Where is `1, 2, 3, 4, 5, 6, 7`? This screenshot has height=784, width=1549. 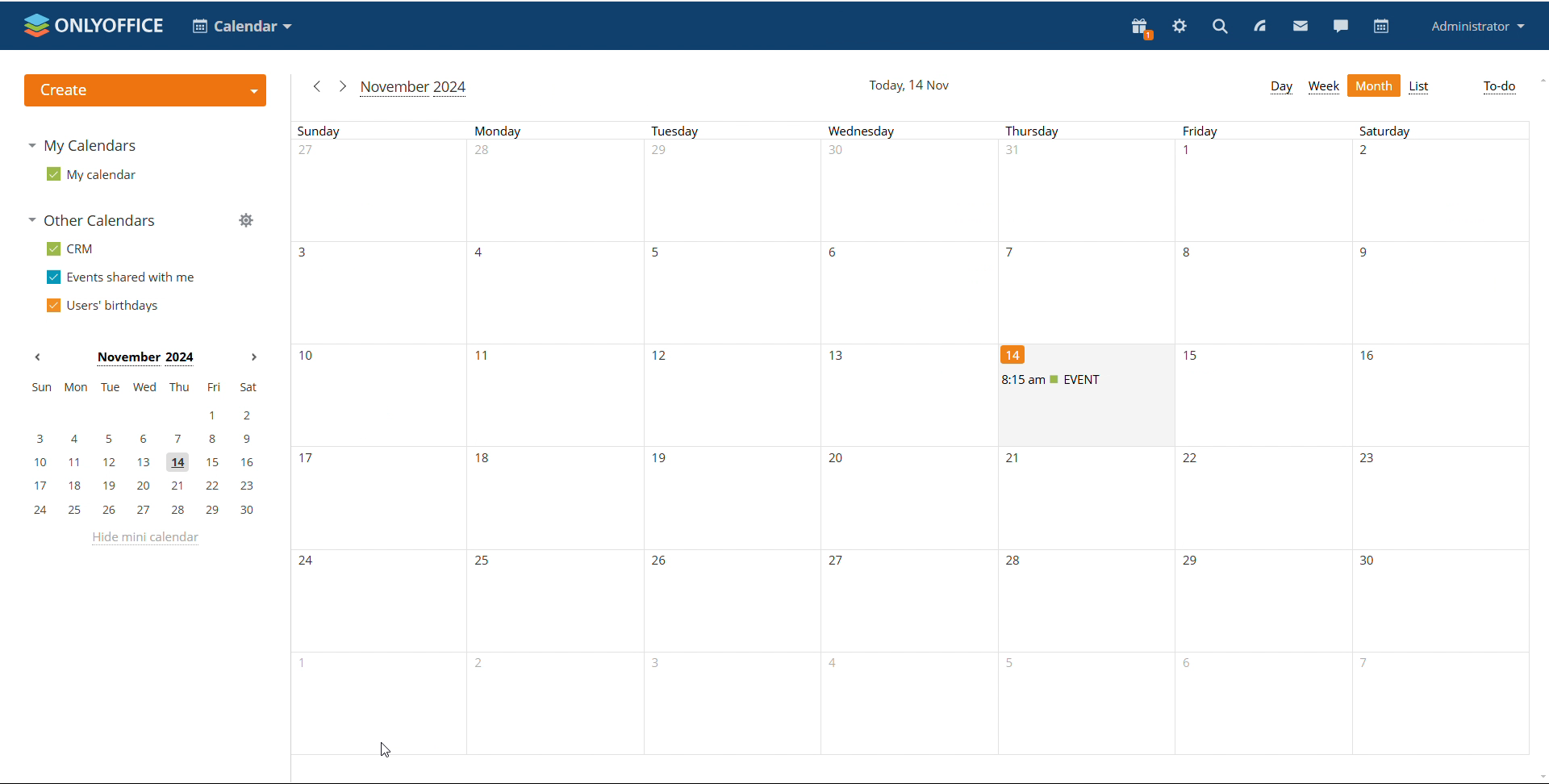 1, 2, 3, 4, 5, 6, 7 is located at coordinates (898, 705).